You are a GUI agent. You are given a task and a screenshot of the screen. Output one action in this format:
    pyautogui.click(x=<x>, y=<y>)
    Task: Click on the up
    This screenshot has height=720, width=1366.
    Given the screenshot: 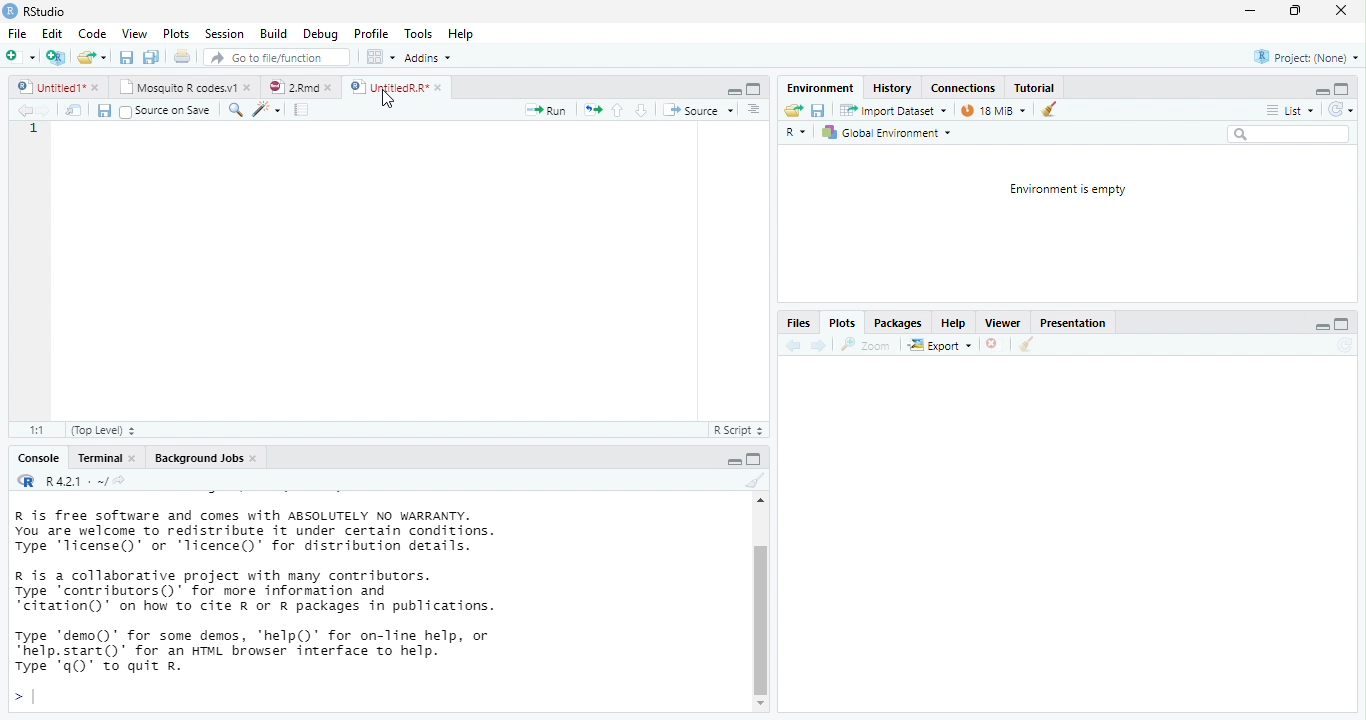 What is the action you would take?
    pyautogui.click(x=618, y=110)
    